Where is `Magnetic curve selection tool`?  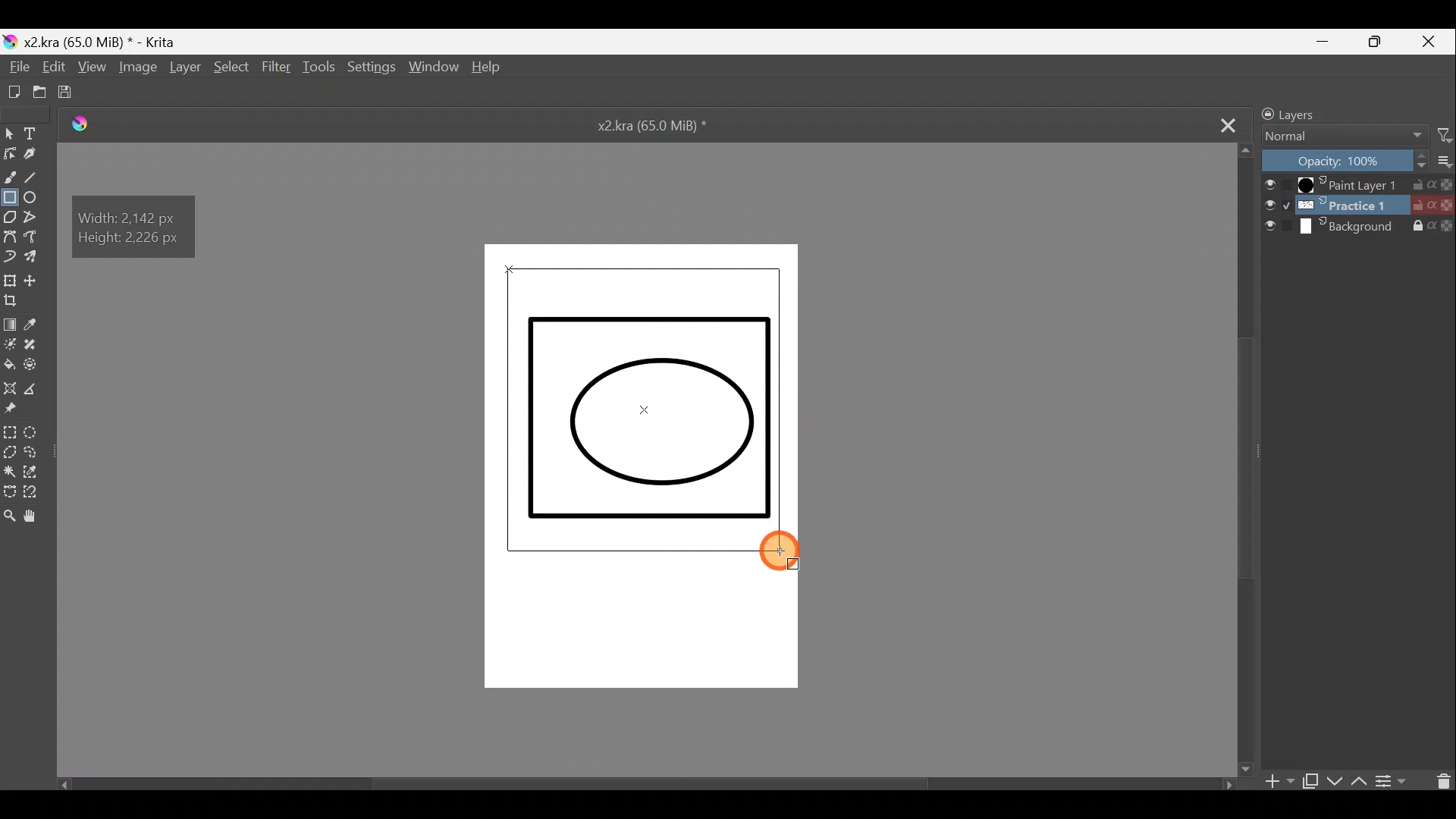 Magnetic curve selection tool is located at coordinates (36, 494).